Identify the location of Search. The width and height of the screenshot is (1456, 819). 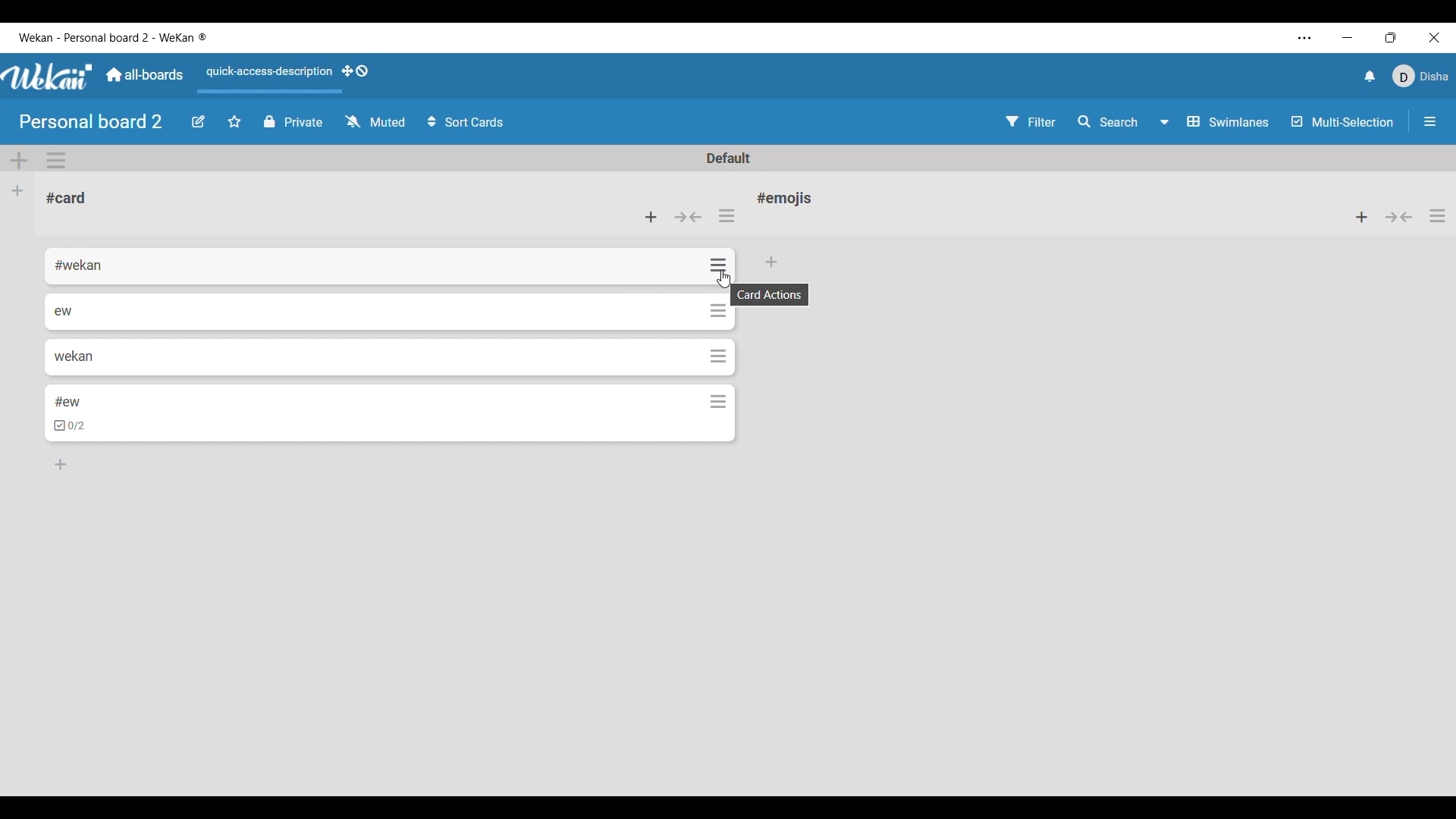
(1106, 121).